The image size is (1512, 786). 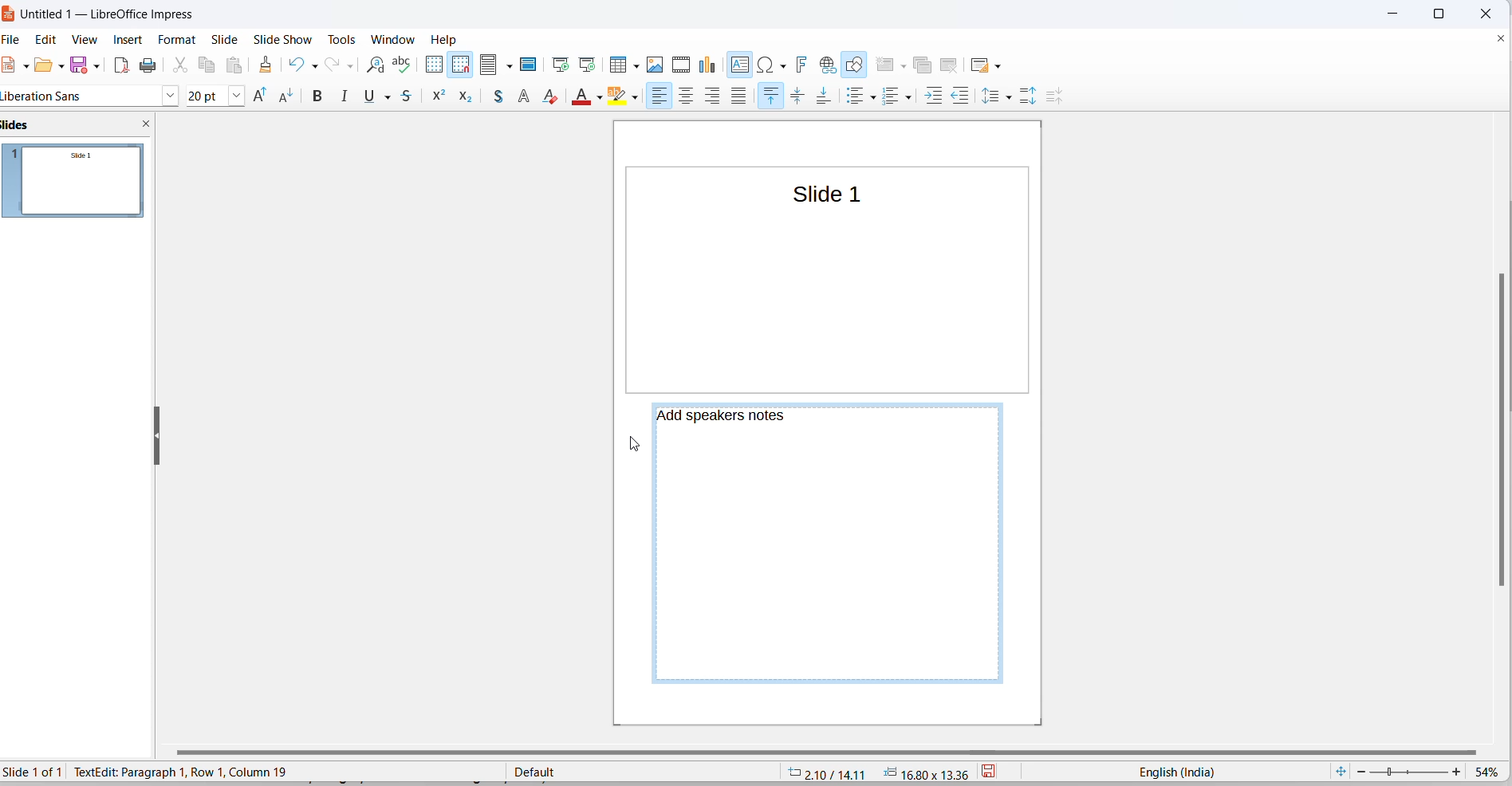 I want to click on clone formatting, so click(x=267, y=65).